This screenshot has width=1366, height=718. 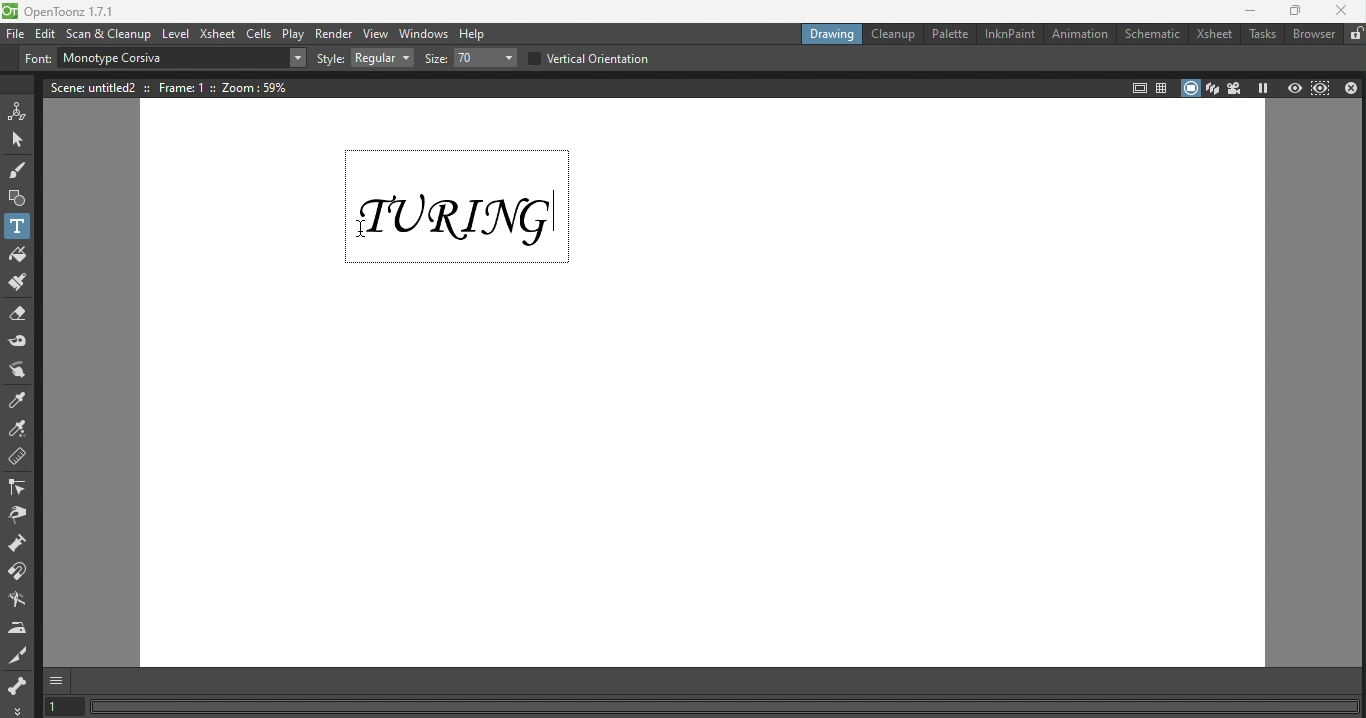 What do you see at coordinates (18, 707) in the screenshot?
I see `More options` at bounding box center [18, 707].